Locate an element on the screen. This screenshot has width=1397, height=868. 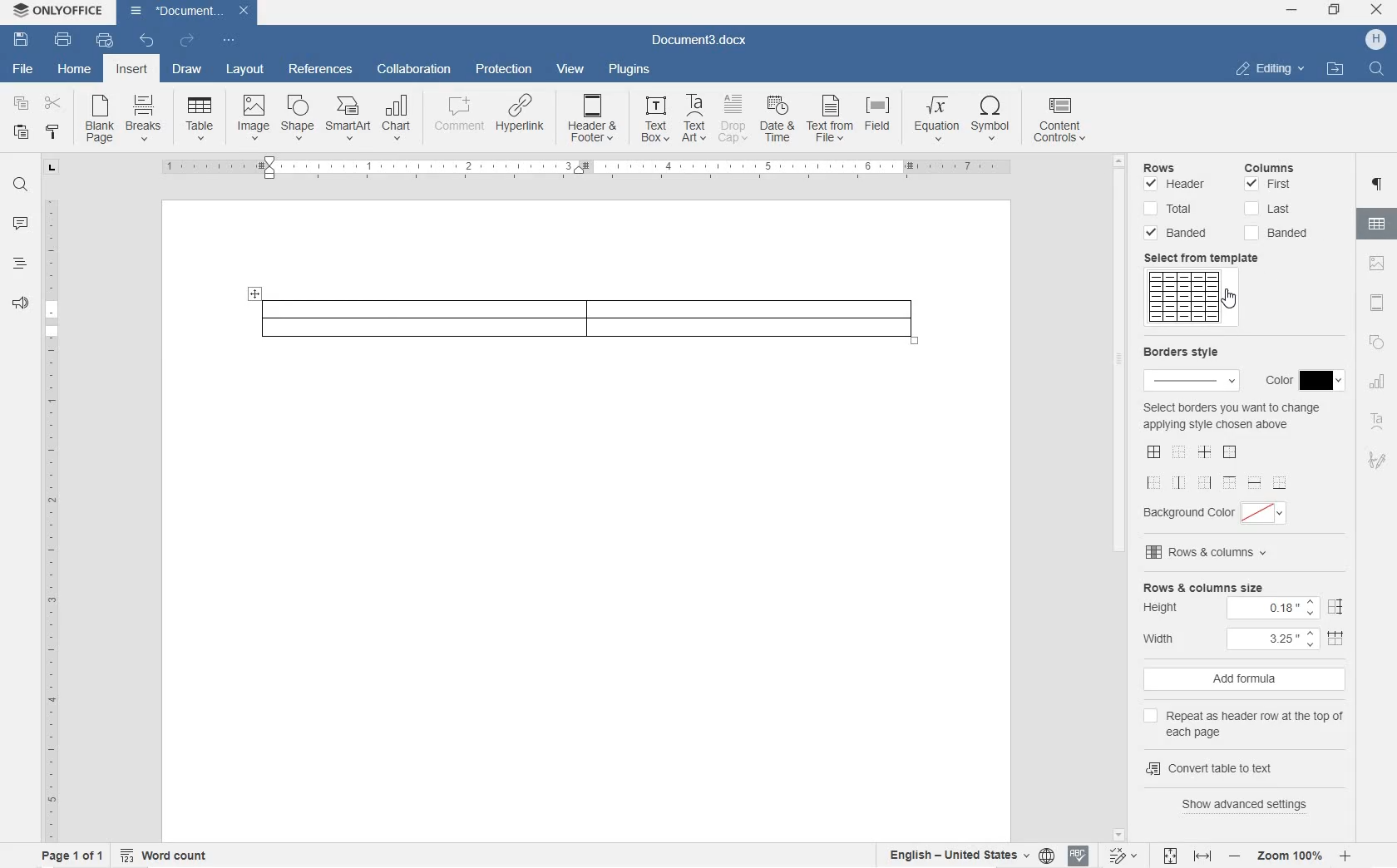
Banded is located at coordinates (1281, 233).